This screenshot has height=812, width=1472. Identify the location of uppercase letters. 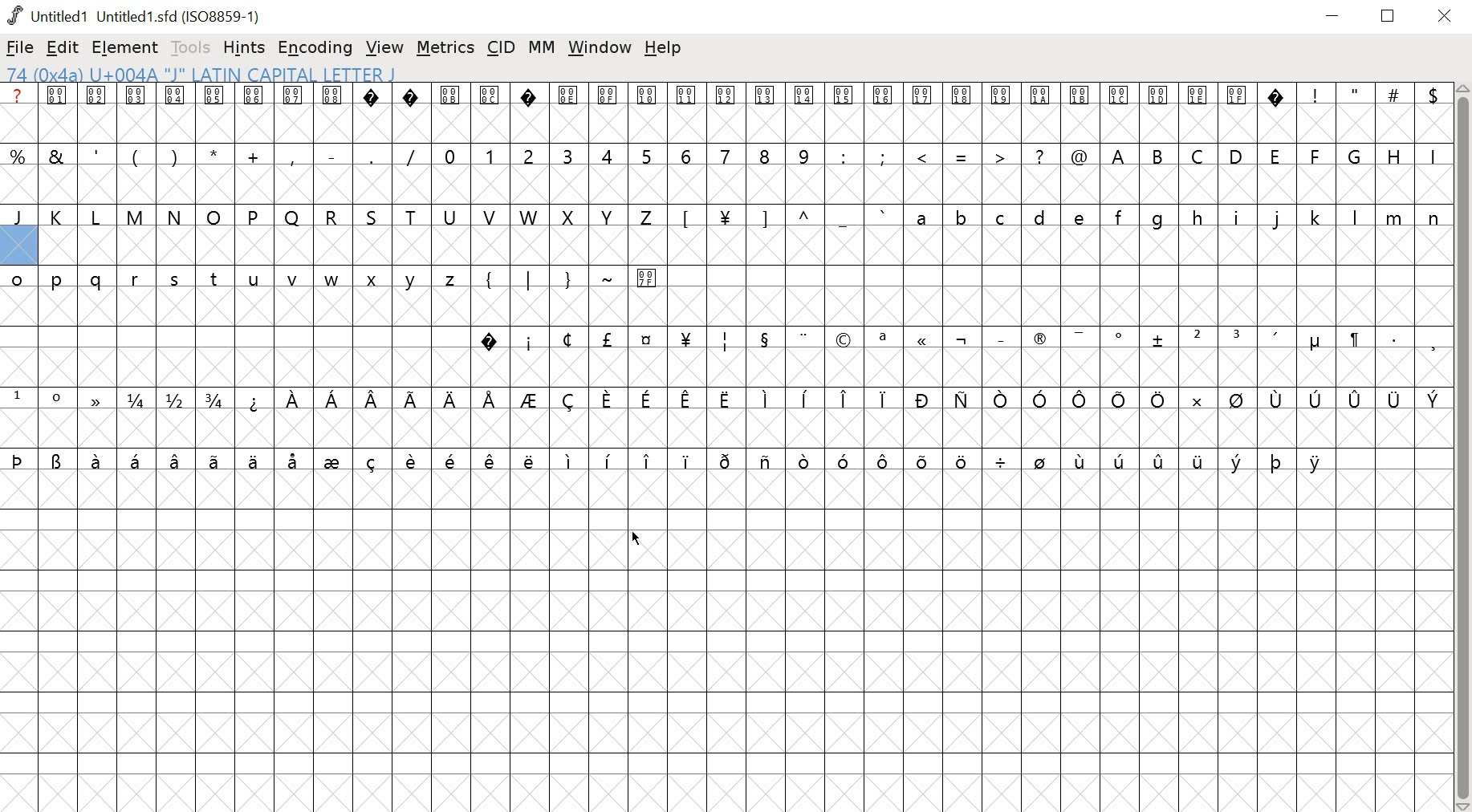
(1275, 155).